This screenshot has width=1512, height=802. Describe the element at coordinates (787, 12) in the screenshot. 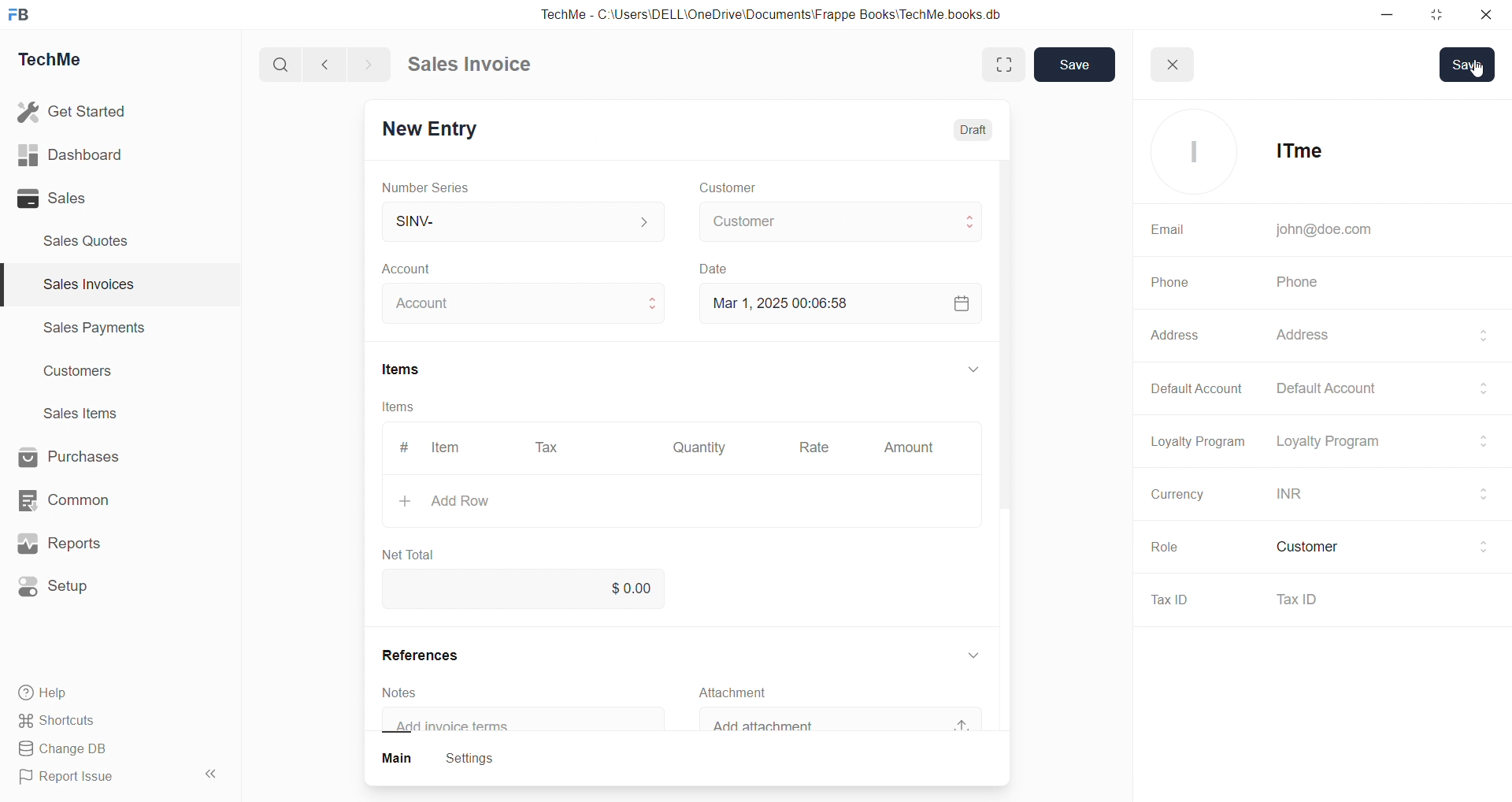

I see `TechMe - C-\Users\DELL\OneDrive\Documents\Frappe Books'TechMe books db` at that location.